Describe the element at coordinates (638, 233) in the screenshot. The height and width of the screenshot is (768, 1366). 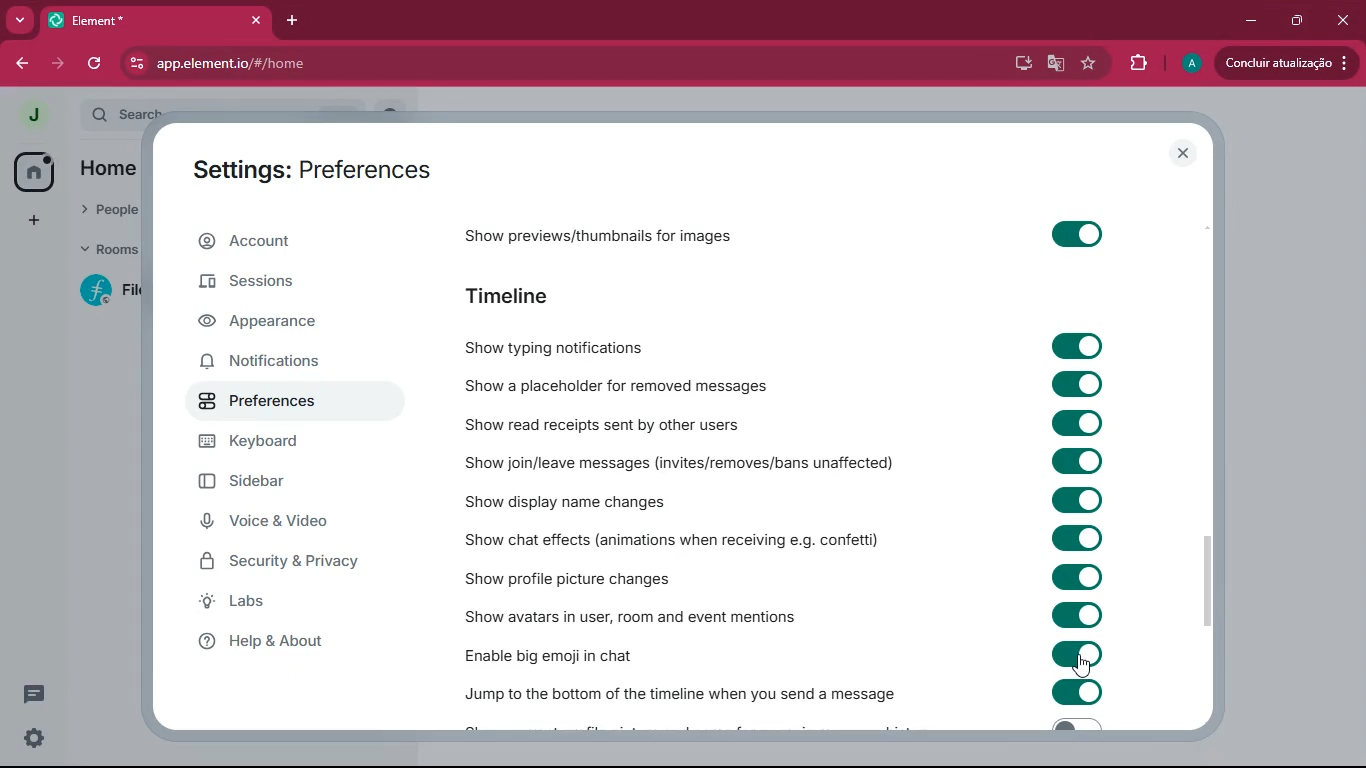
I see `previewsshow previews/thumbnails for images` at that location.